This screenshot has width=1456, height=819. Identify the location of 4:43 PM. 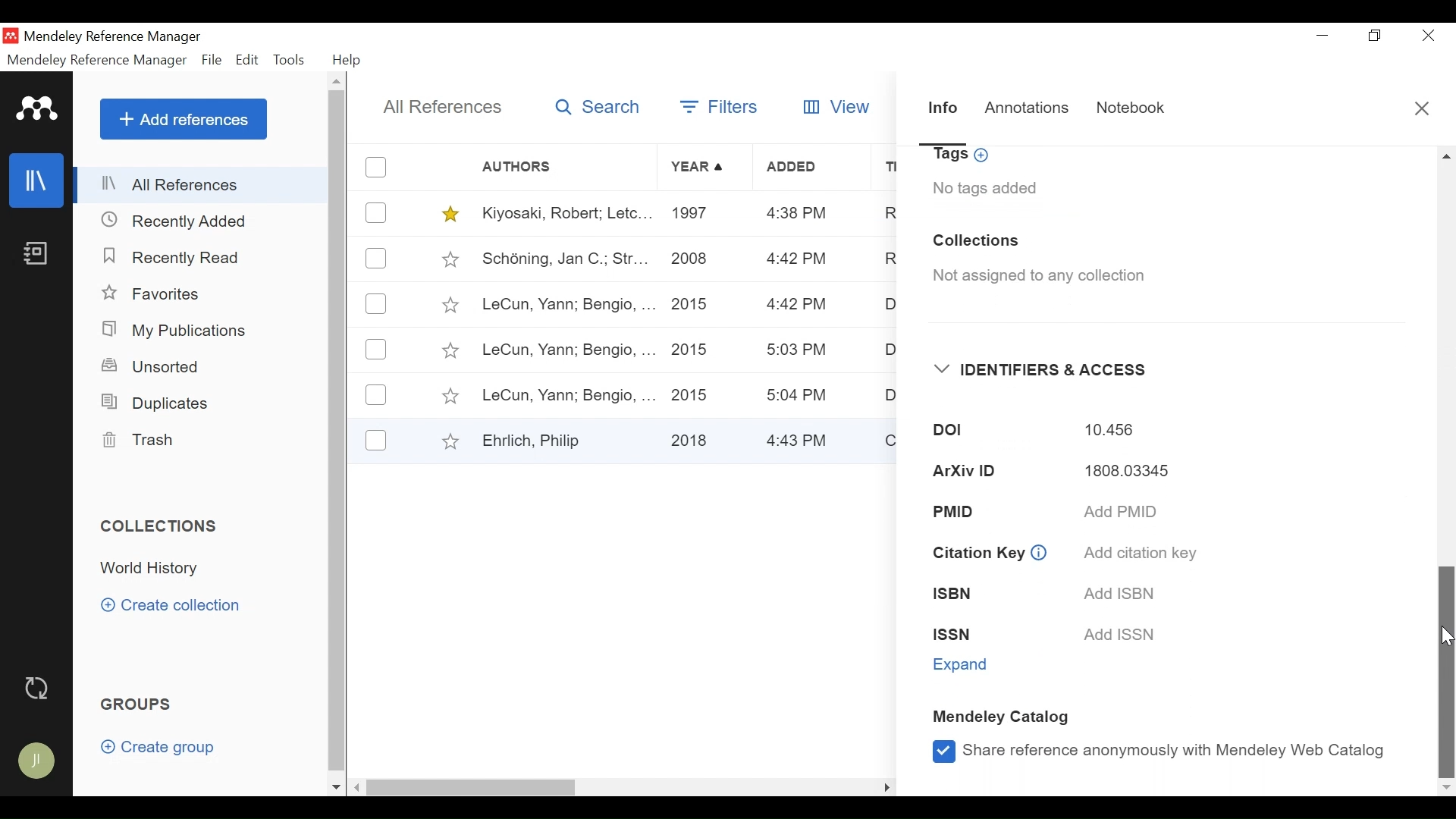
(802, 439).